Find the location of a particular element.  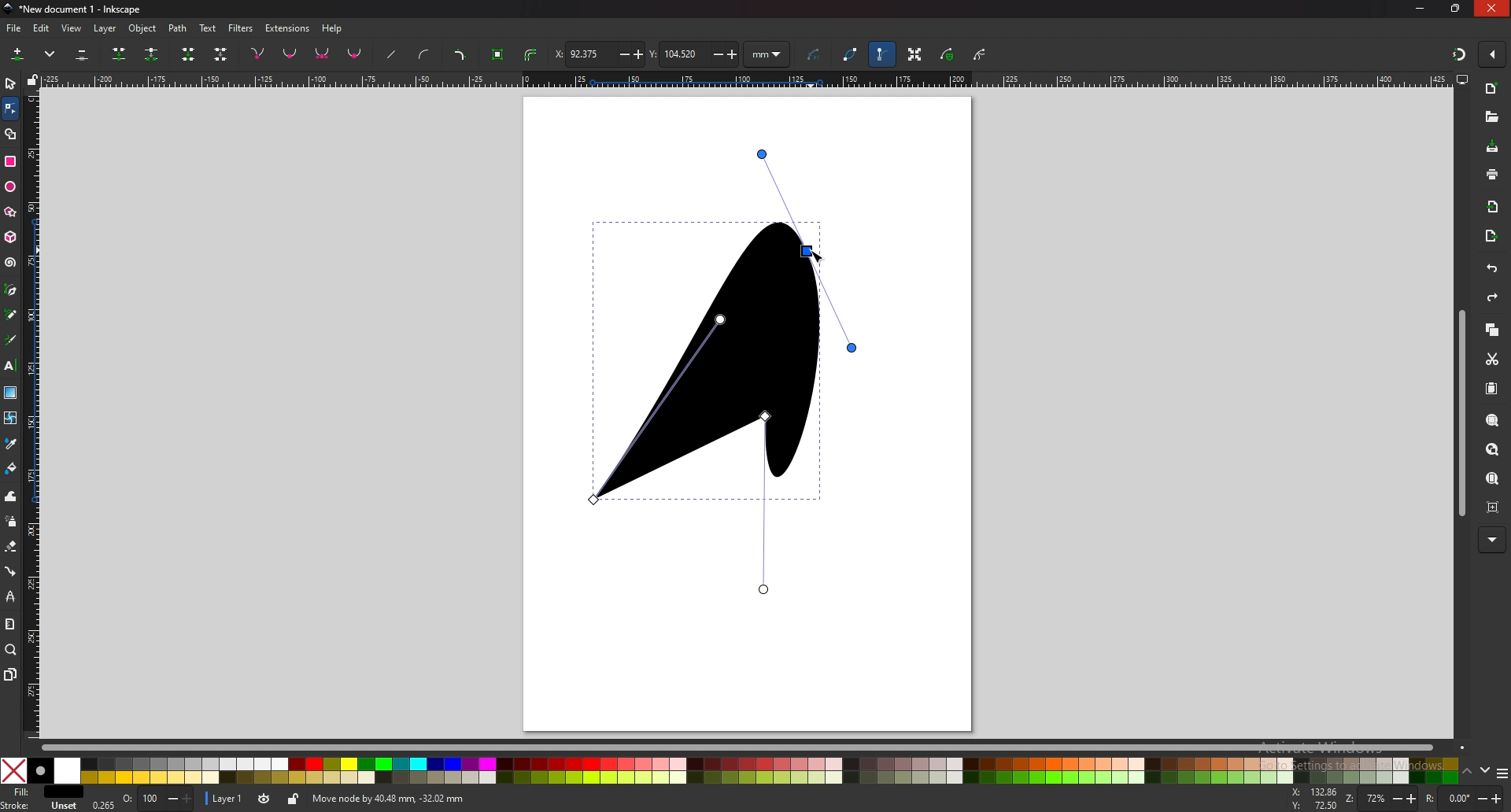

rotate is located at coordinates (1465, 798).